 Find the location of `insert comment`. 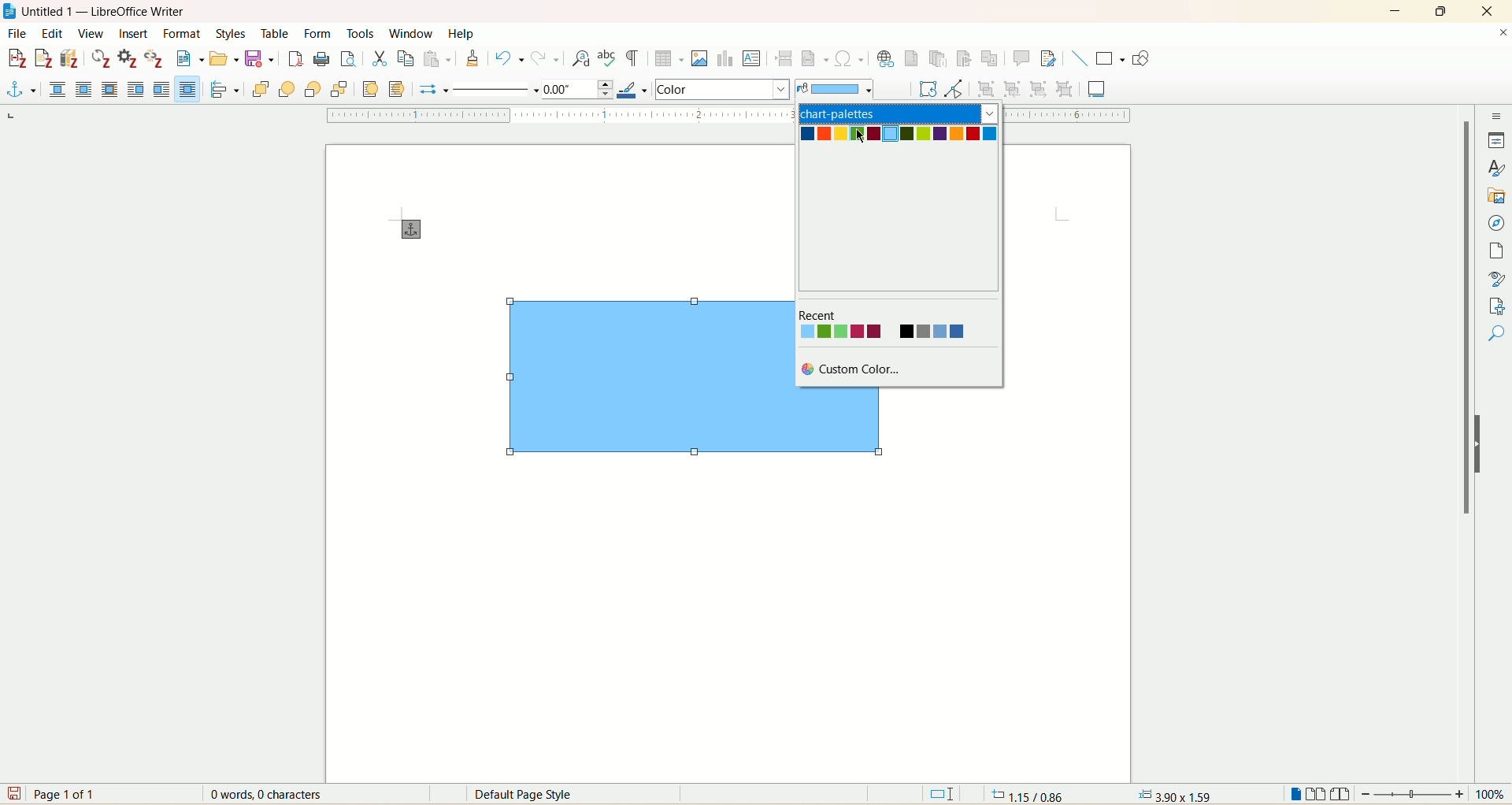

insert comment is located at coordinates (1022, 58).